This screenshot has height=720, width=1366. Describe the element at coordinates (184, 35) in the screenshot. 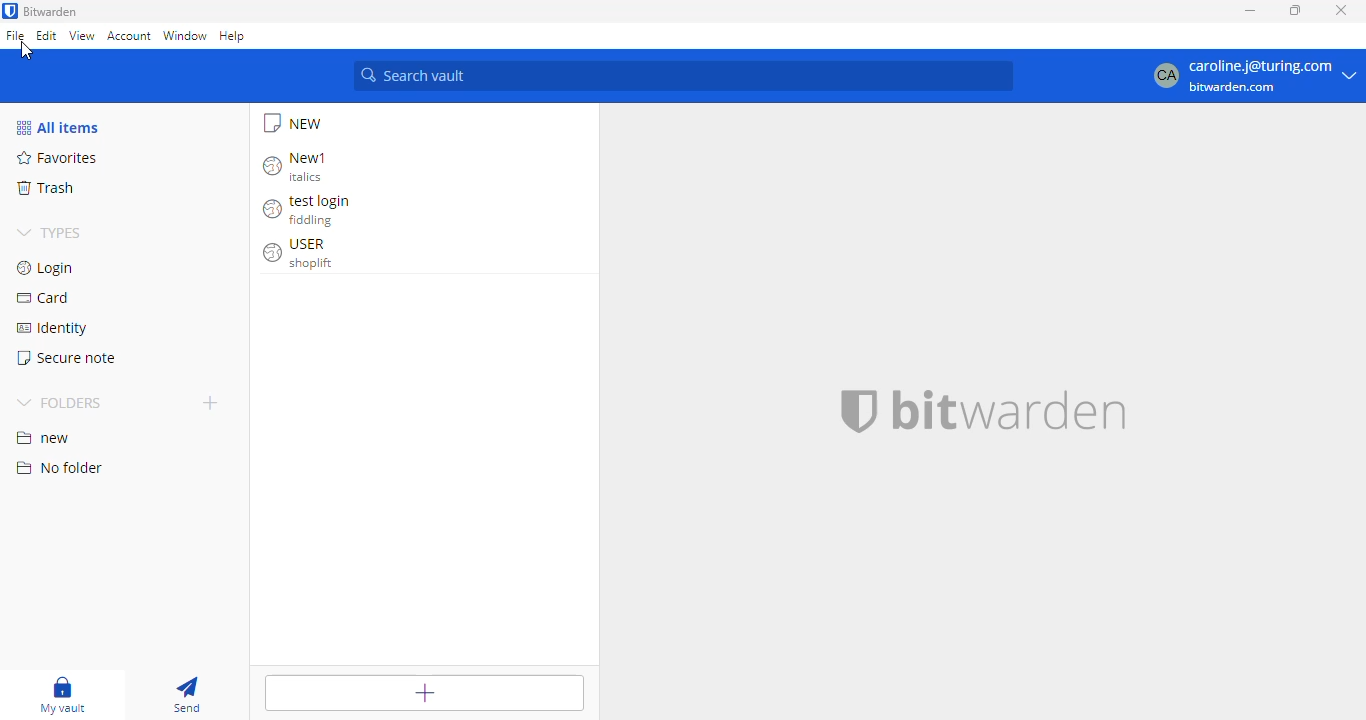

I see `window` at that location.